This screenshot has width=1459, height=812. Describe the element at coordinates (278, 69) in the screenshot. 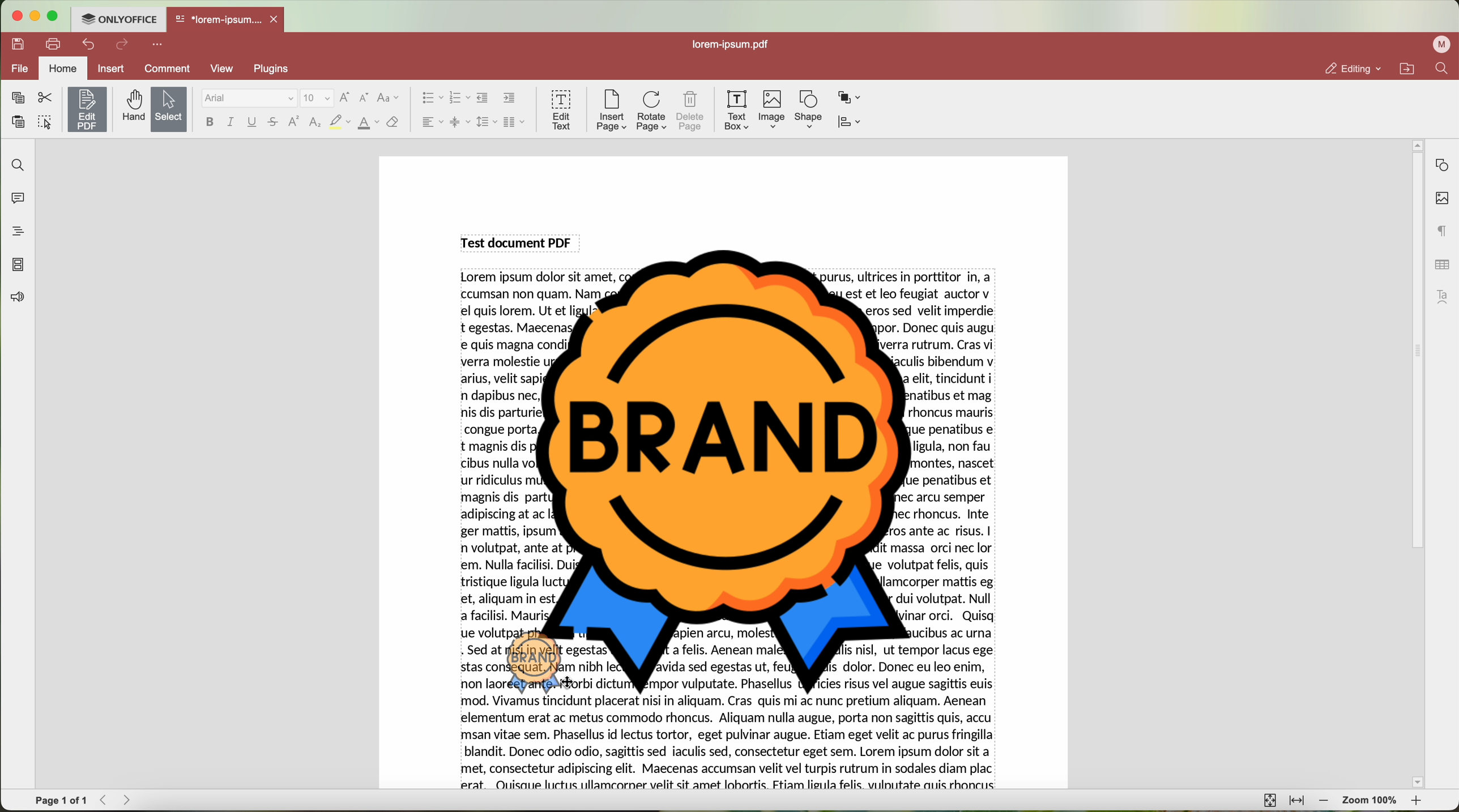

I see `plugins` at that location.